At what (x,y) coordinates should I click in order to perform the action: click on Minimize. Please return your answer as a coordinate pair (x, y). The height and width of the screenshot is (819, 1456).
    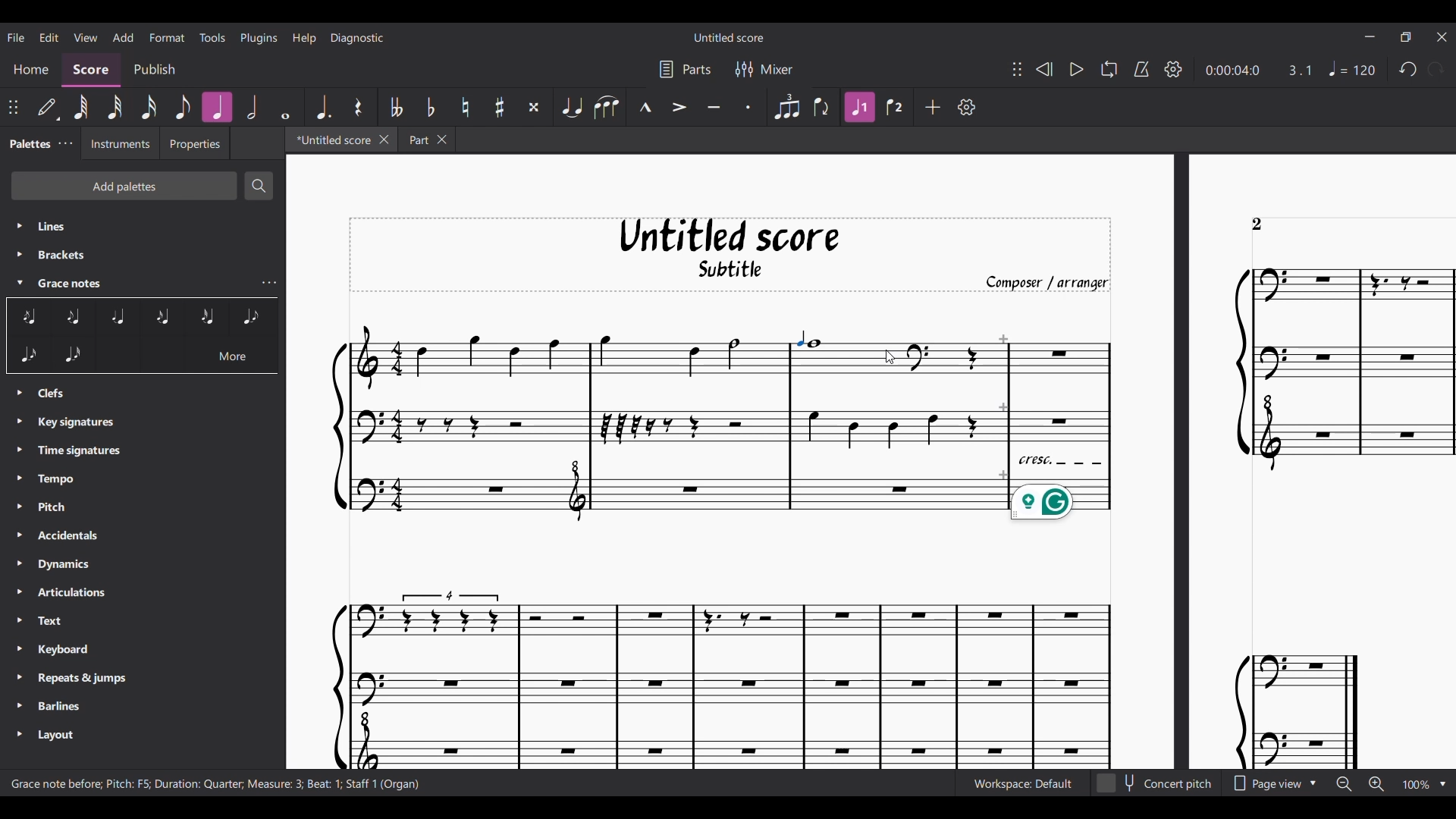
    Looking at the image, I should click on (1370, 36).